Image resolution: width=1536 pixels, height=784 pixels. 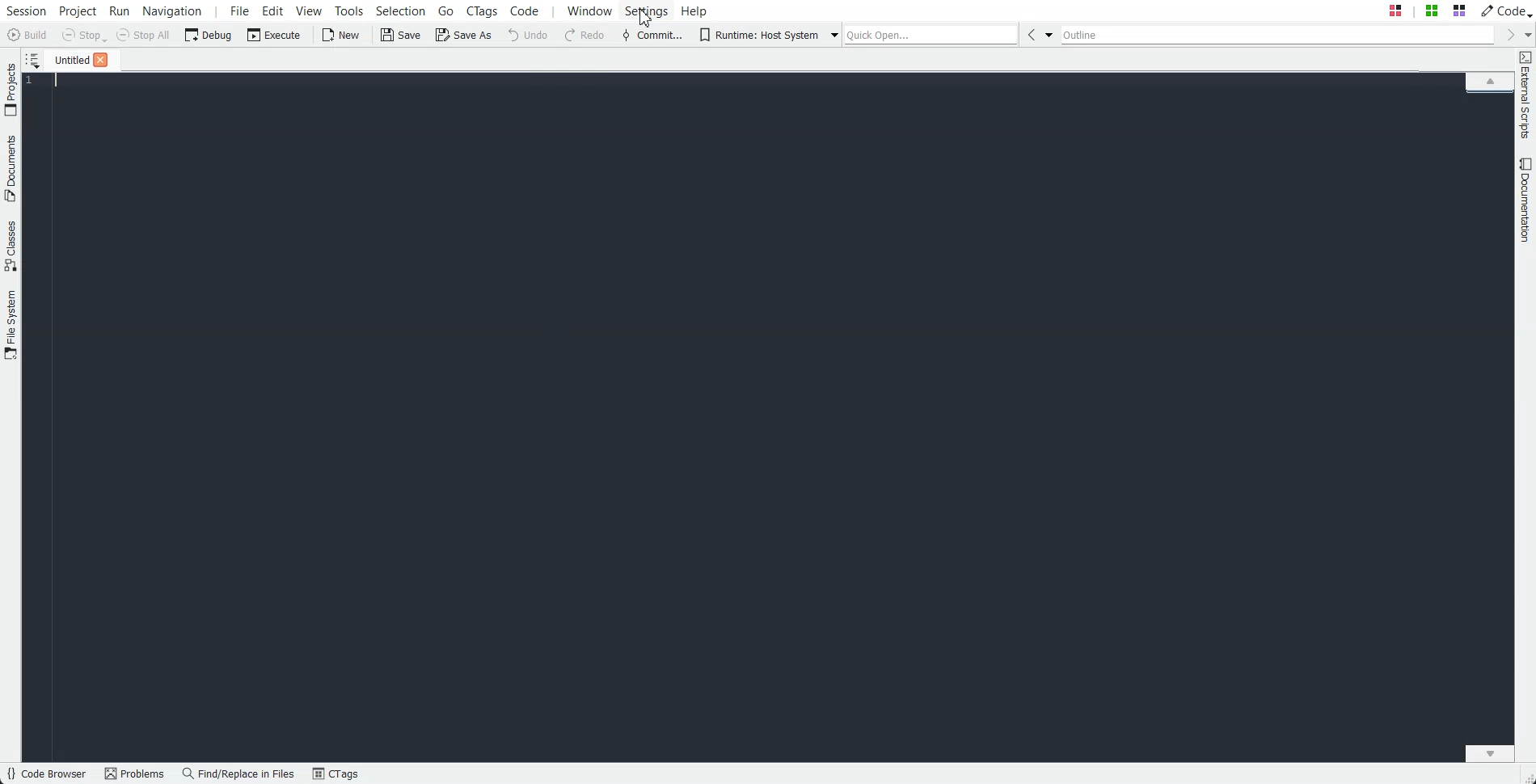 What do you see at coordinates (650, 11) in the screenshot?
I see `Settings` at bounding box center [650, 11].